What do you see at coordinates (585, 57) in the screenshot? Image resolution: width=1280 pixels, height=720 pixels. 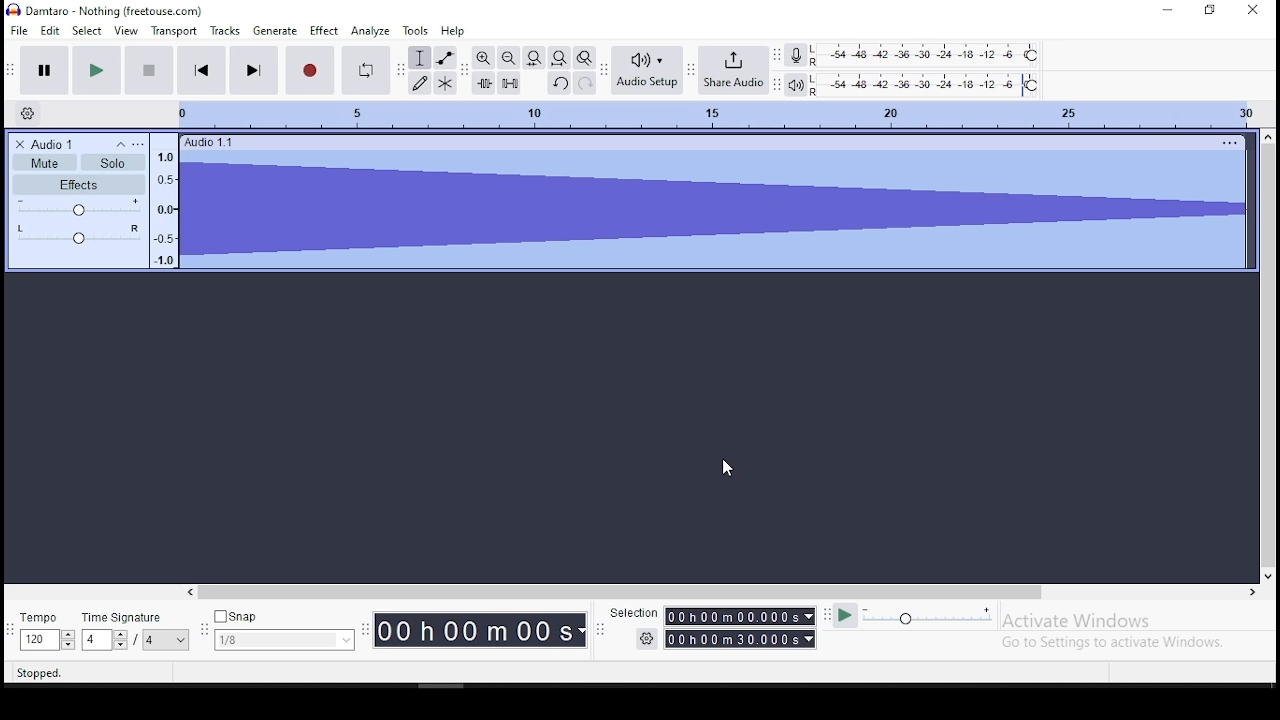 I see `zoom toggle` at bounding box center [585, 57].